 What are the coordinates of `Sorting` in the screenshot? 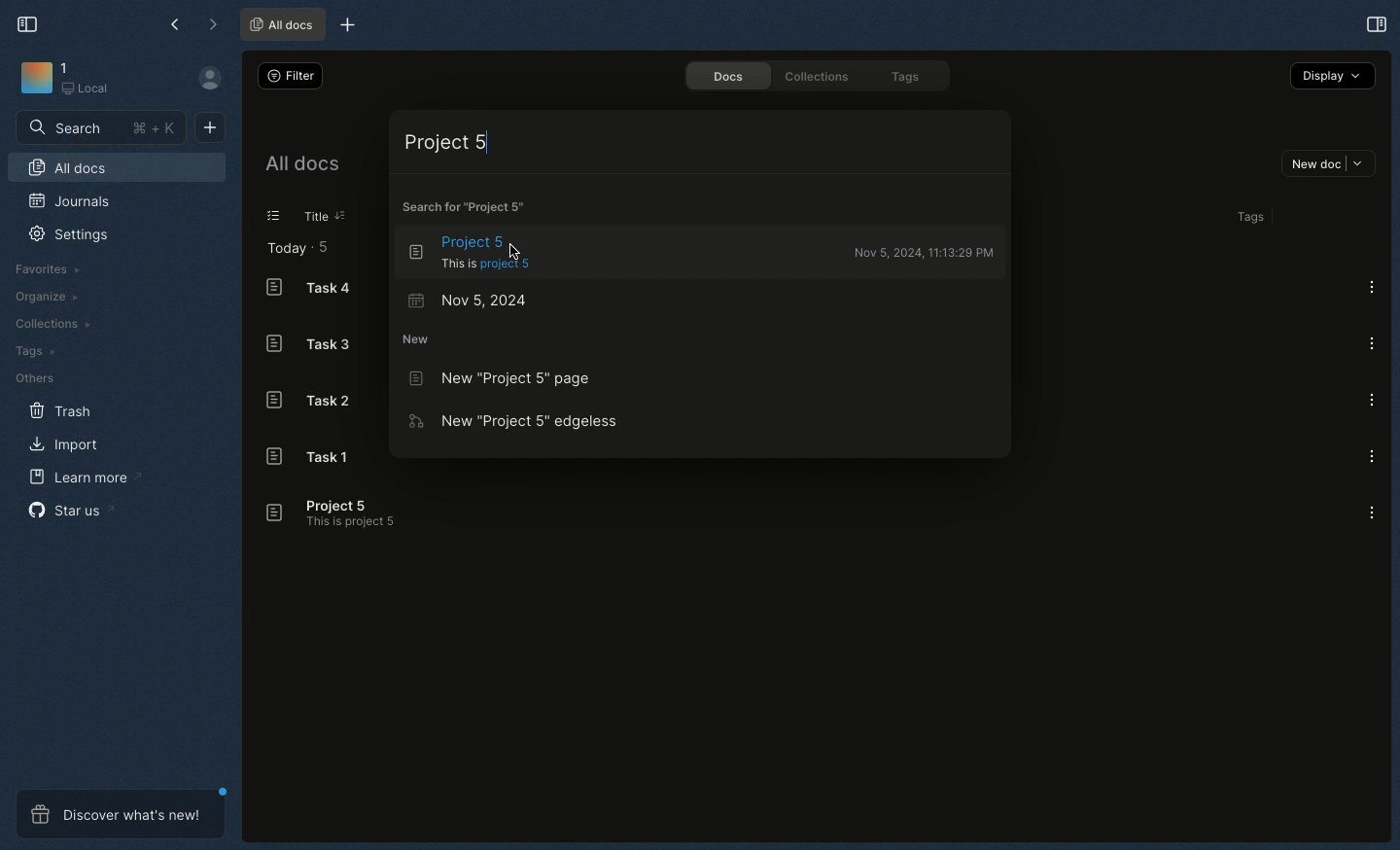 It's located at (340, 216).